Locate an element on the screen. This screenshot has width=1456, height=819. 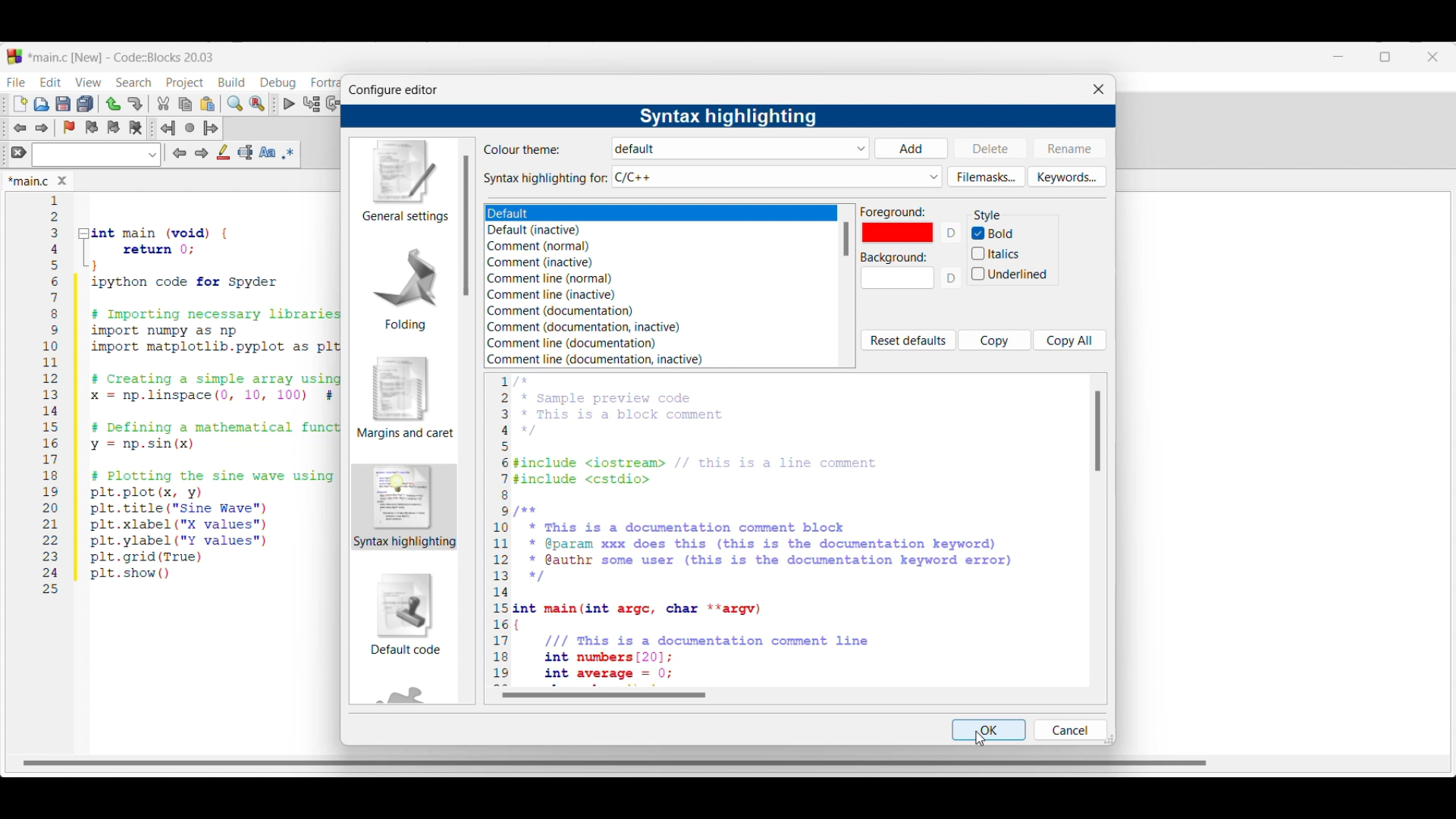
Section title is located at coordinates (987, 215).